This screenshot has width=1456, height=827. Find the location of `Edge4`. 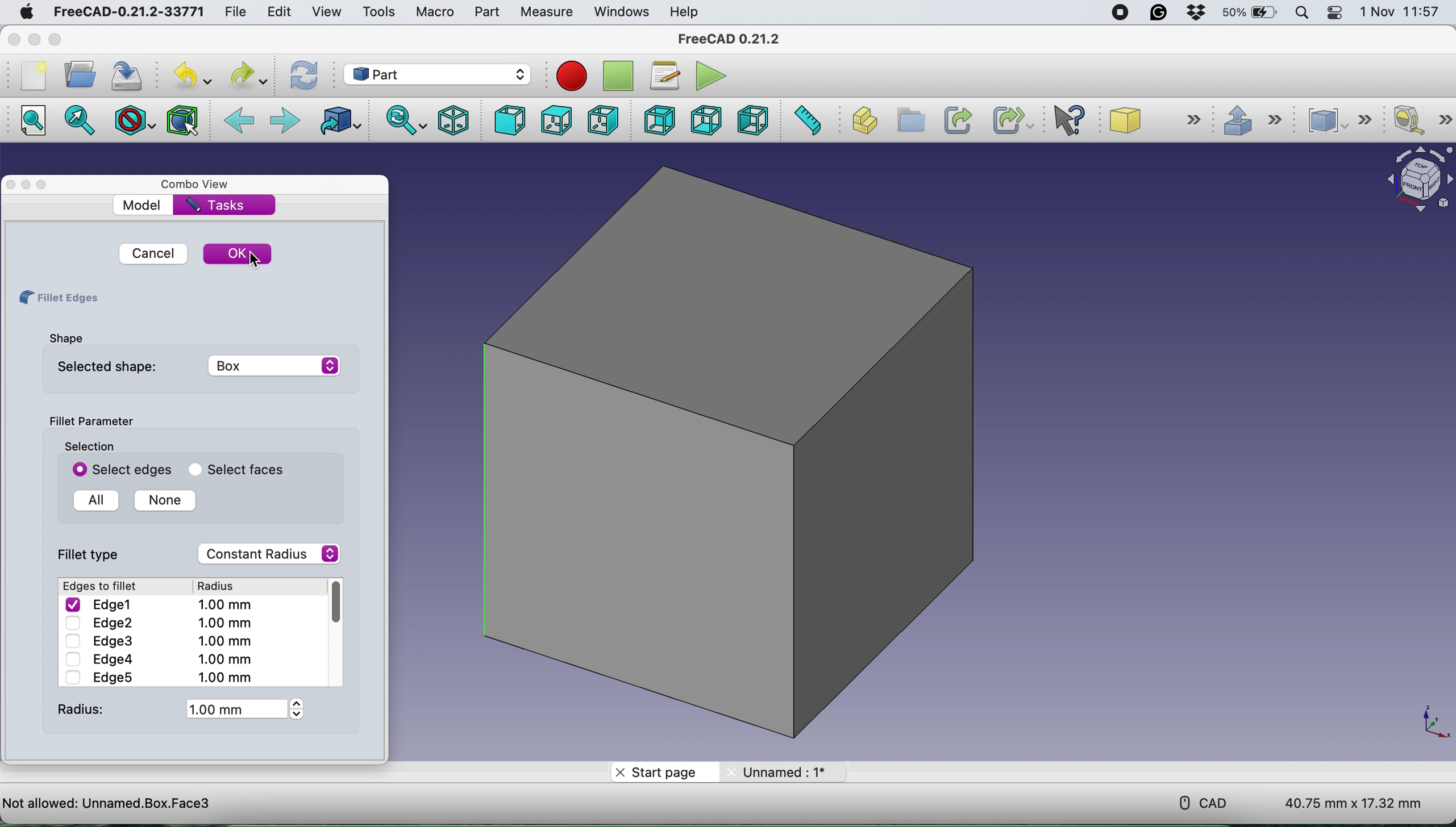

Edge4 is located at coordinates (159, 659).